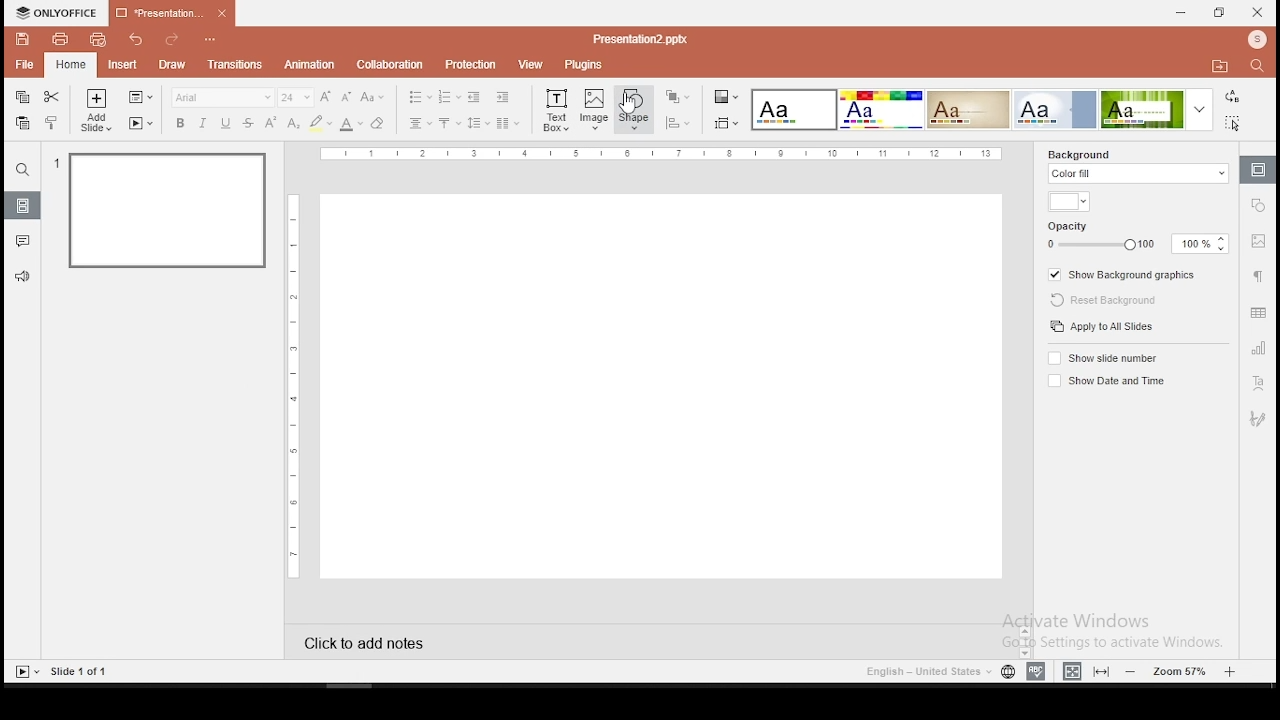 The image size is (1280, 720). I want to click on english - united states, so click(927, 674).